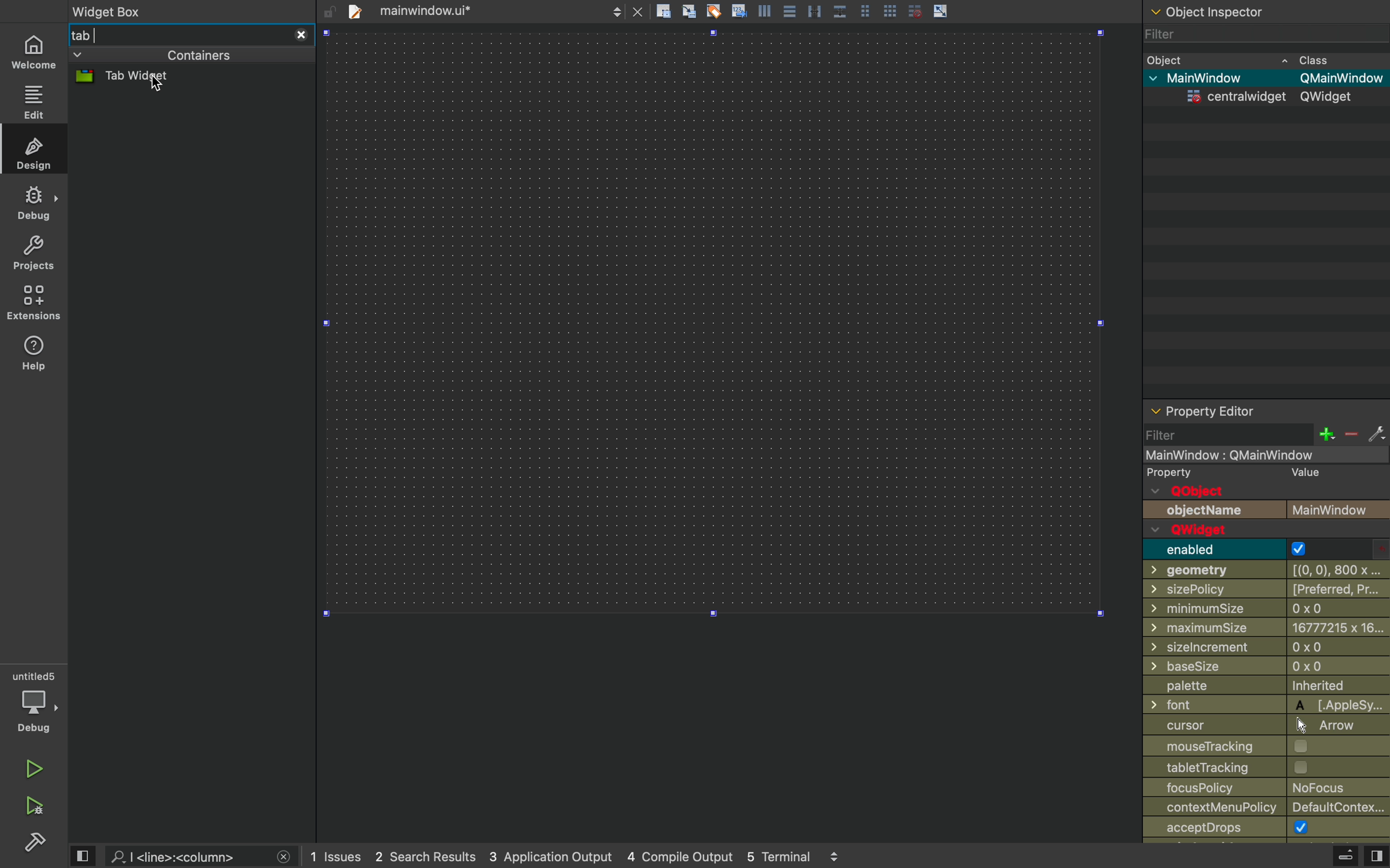  I want to click on design, so click(33, 150).